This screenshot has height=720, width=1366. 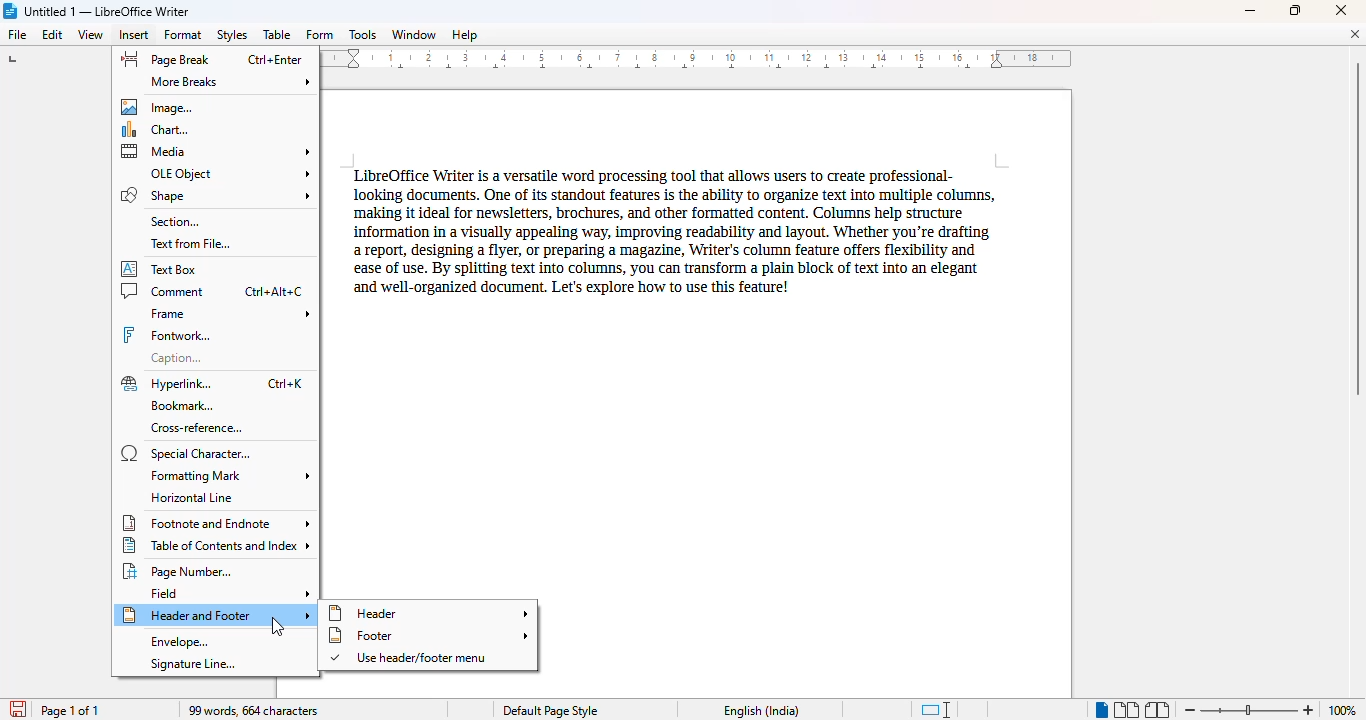 I want to click on page number, so click(x=182, y=571).